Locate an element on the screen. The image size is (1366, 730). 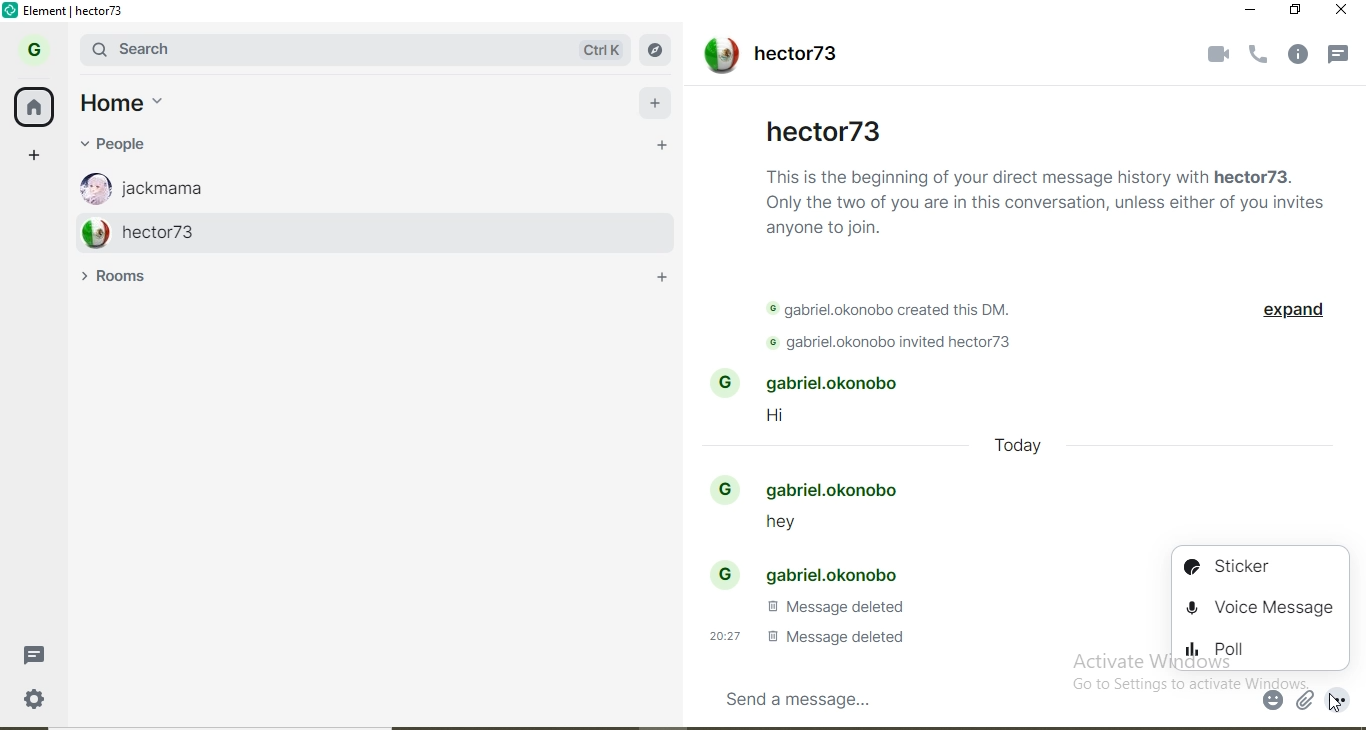
add room is located at coordinates (668, 281).